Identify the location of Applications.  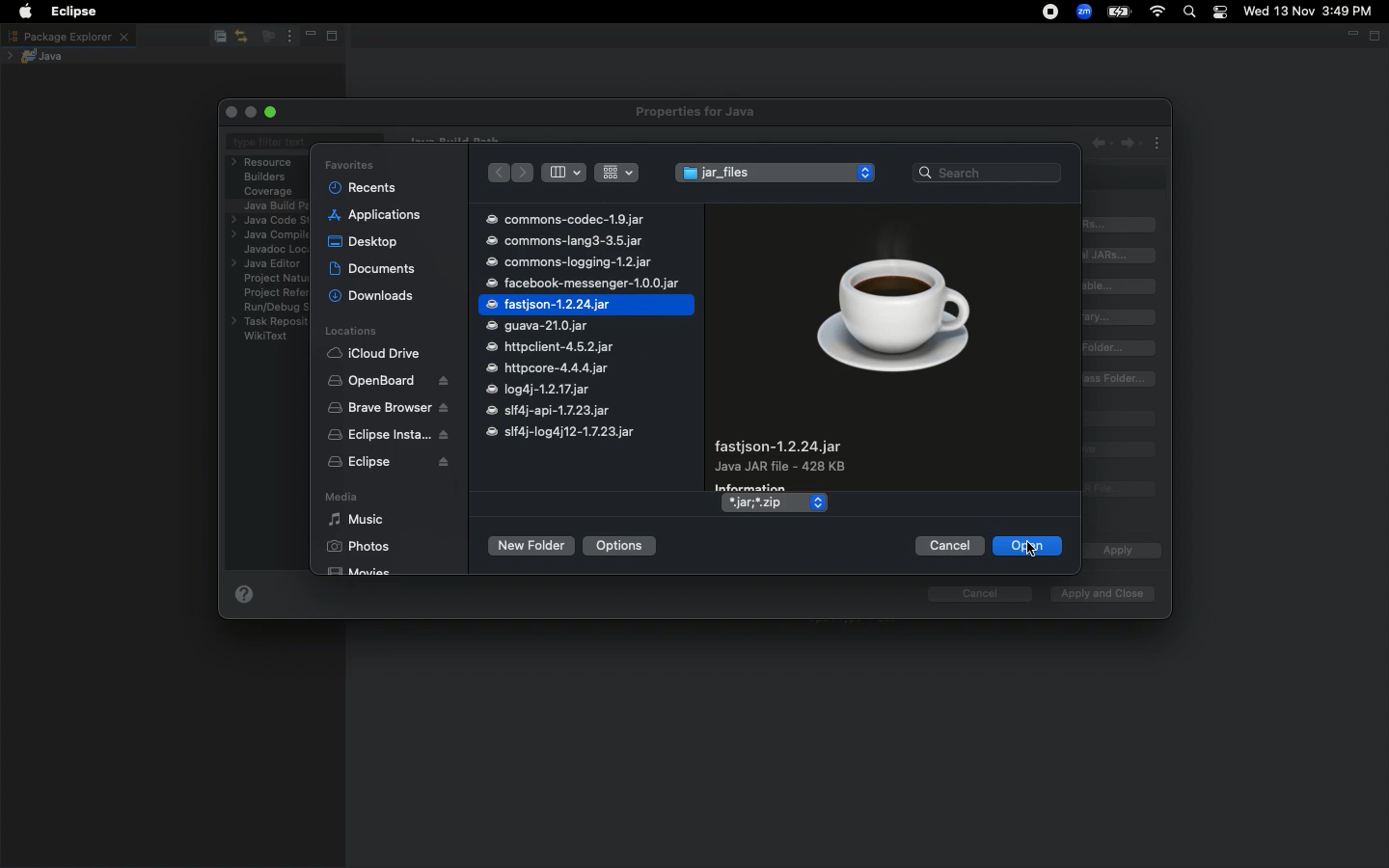
(375, 215).